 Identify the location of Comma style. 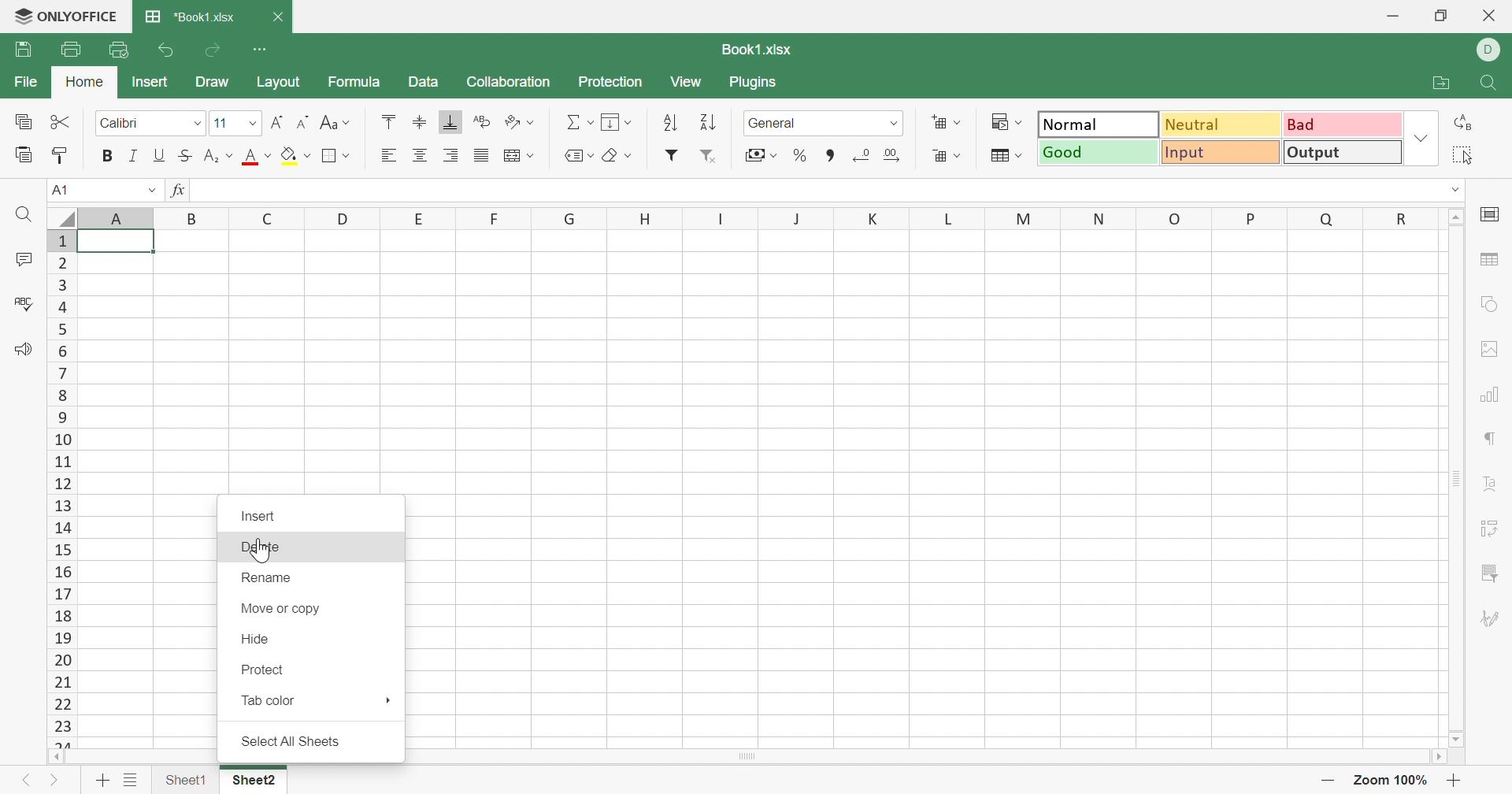
(831, 154).